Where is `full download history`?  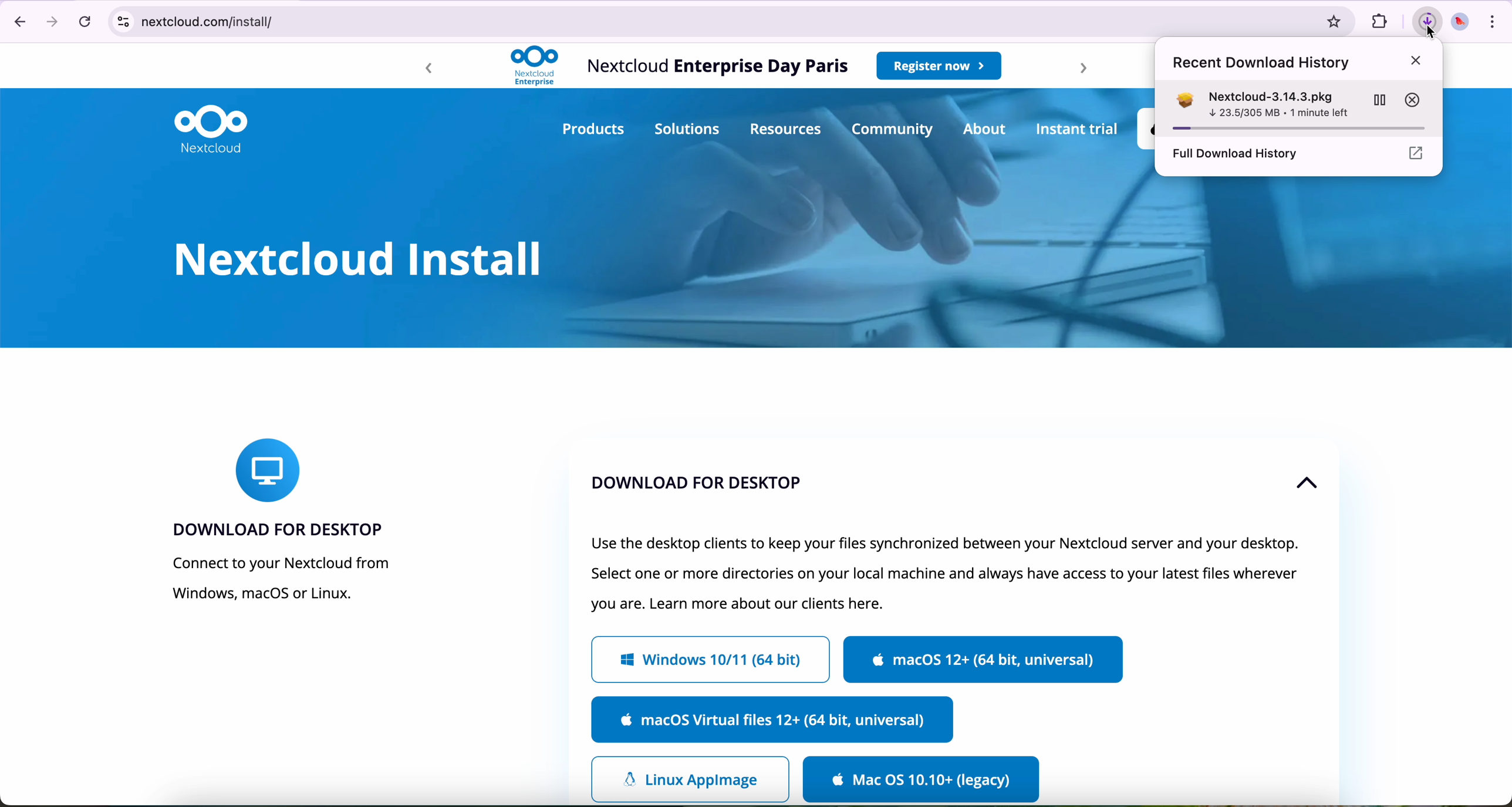 full download history is located at coordinates (1300, 154).